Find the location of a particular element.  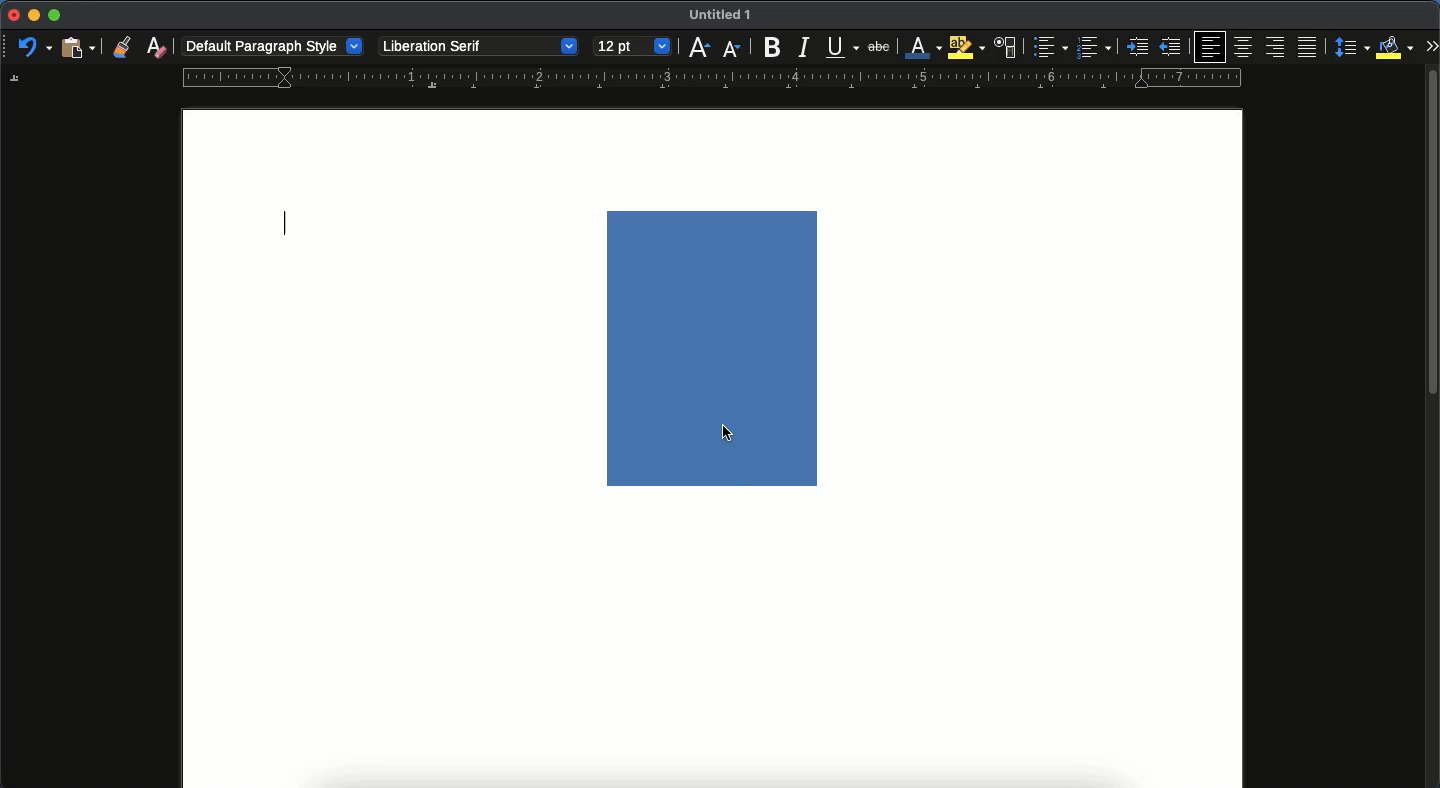

cursor is located at coordinates (721, 432).